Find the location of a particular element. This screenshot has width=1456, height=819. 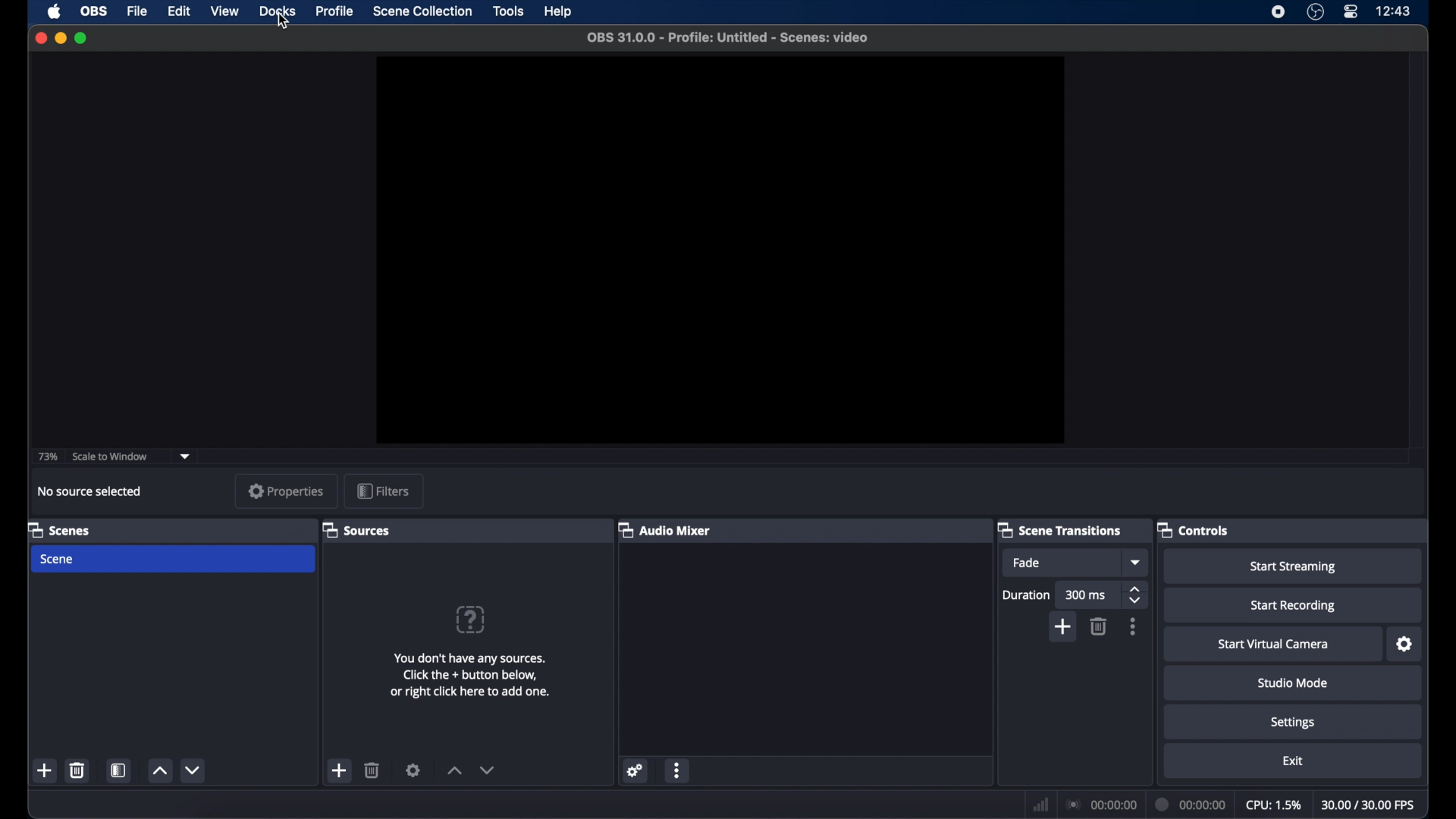

scale to window is located at coordinates (112, 457).